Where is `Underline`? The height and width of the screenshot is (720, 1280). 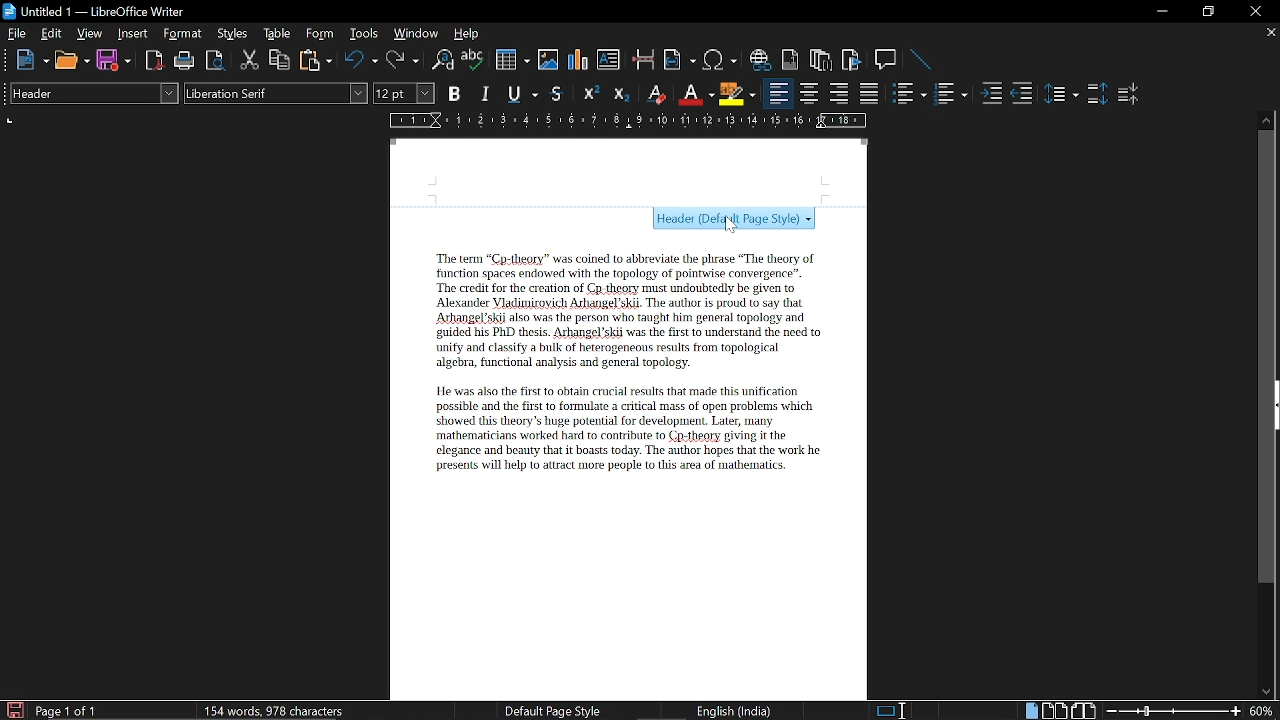 Underline is located at coordinates (524, 95).